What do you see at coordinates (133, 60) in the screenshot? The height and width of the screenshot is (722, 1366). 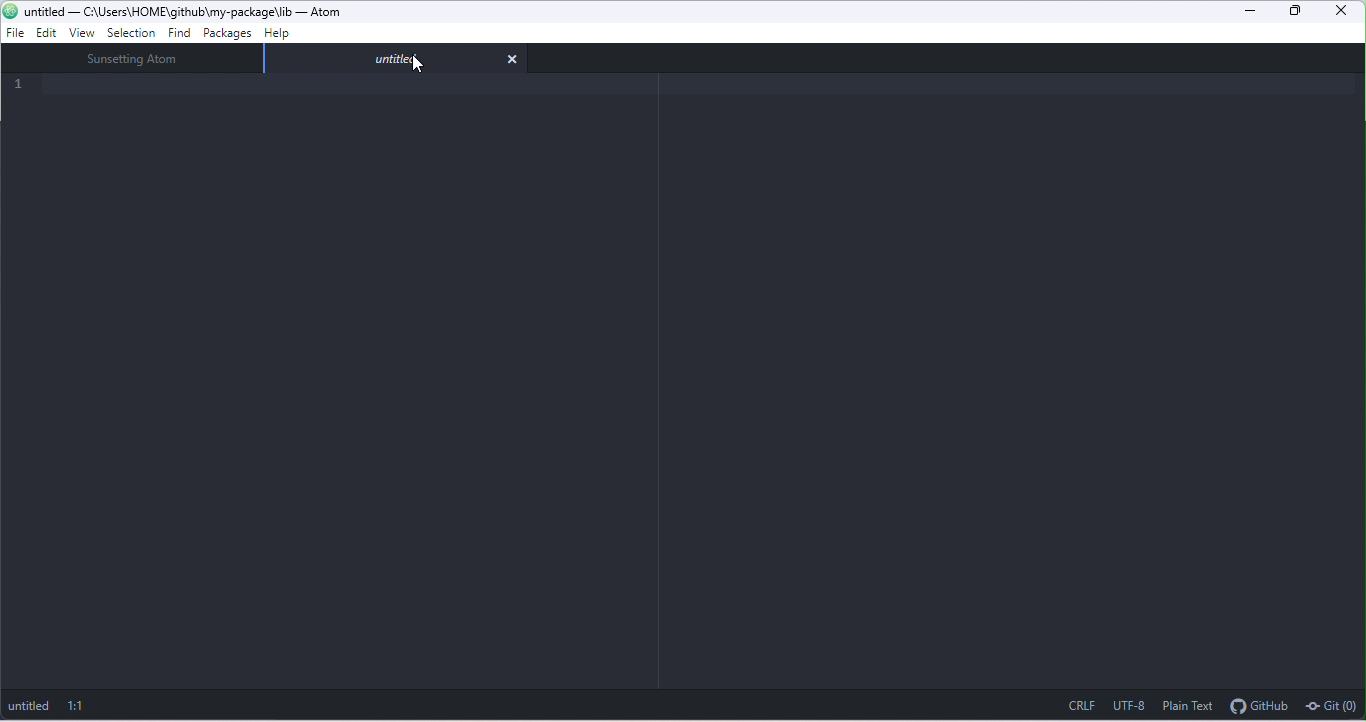 I see `sunsetting atom` at bounding box center [133, 60].